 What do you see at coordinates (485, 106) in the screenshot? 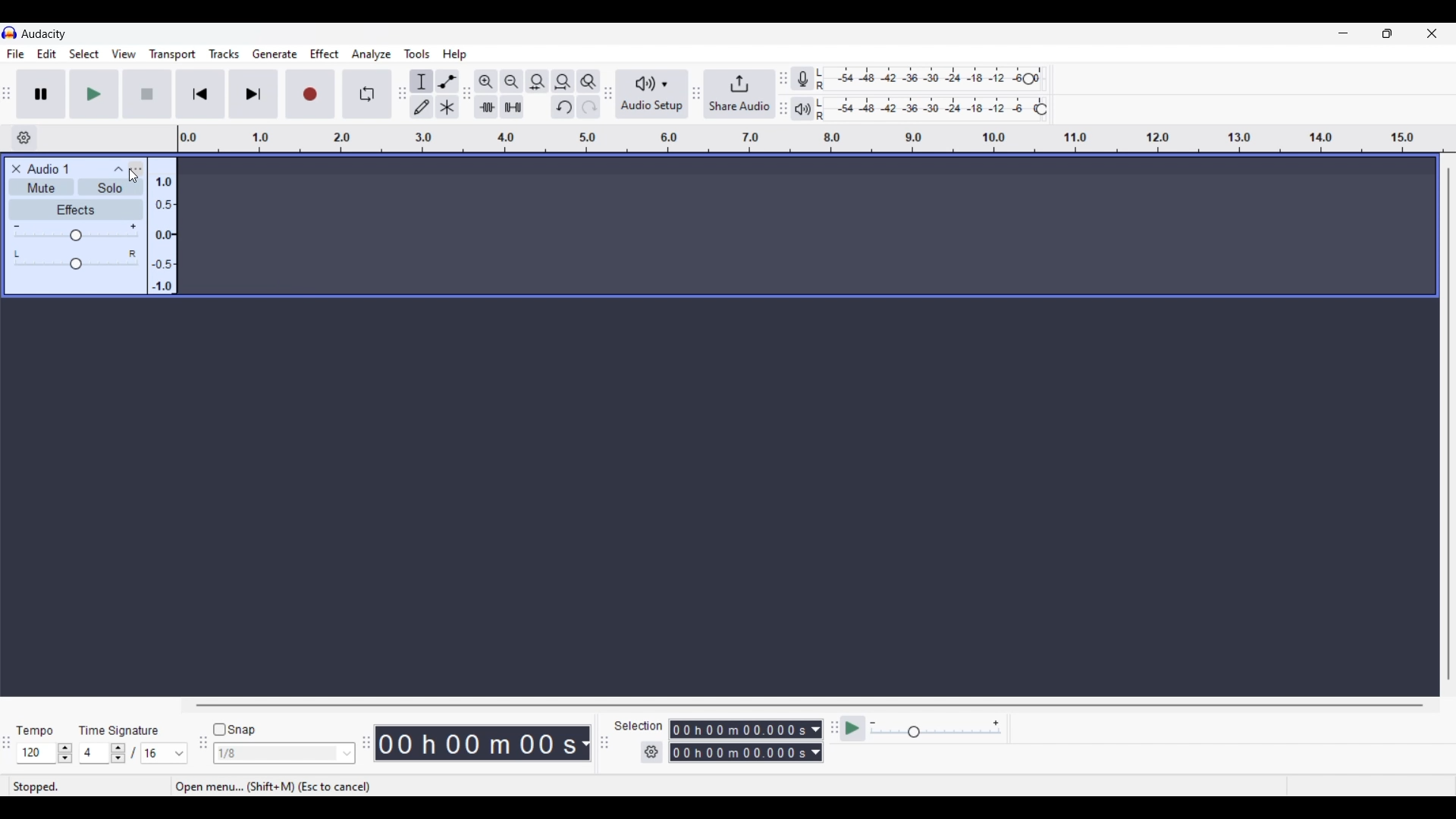
I see `Trim audio outside selection` at bounding box center [485, 106].